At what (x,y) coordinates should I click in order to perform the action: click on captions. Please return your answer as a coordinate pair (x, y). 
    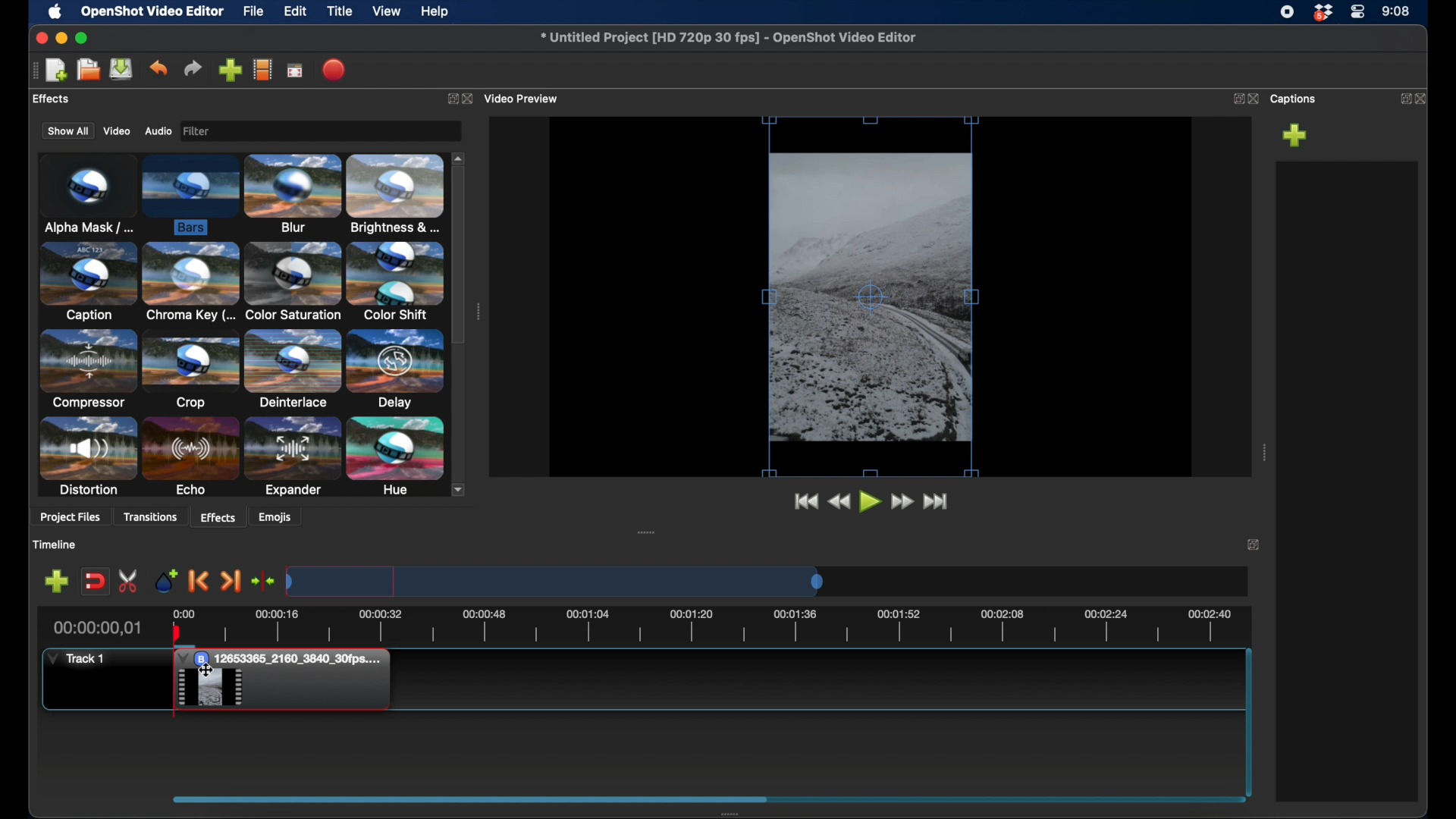
    Looking at the image, I should click on (1295, 99).